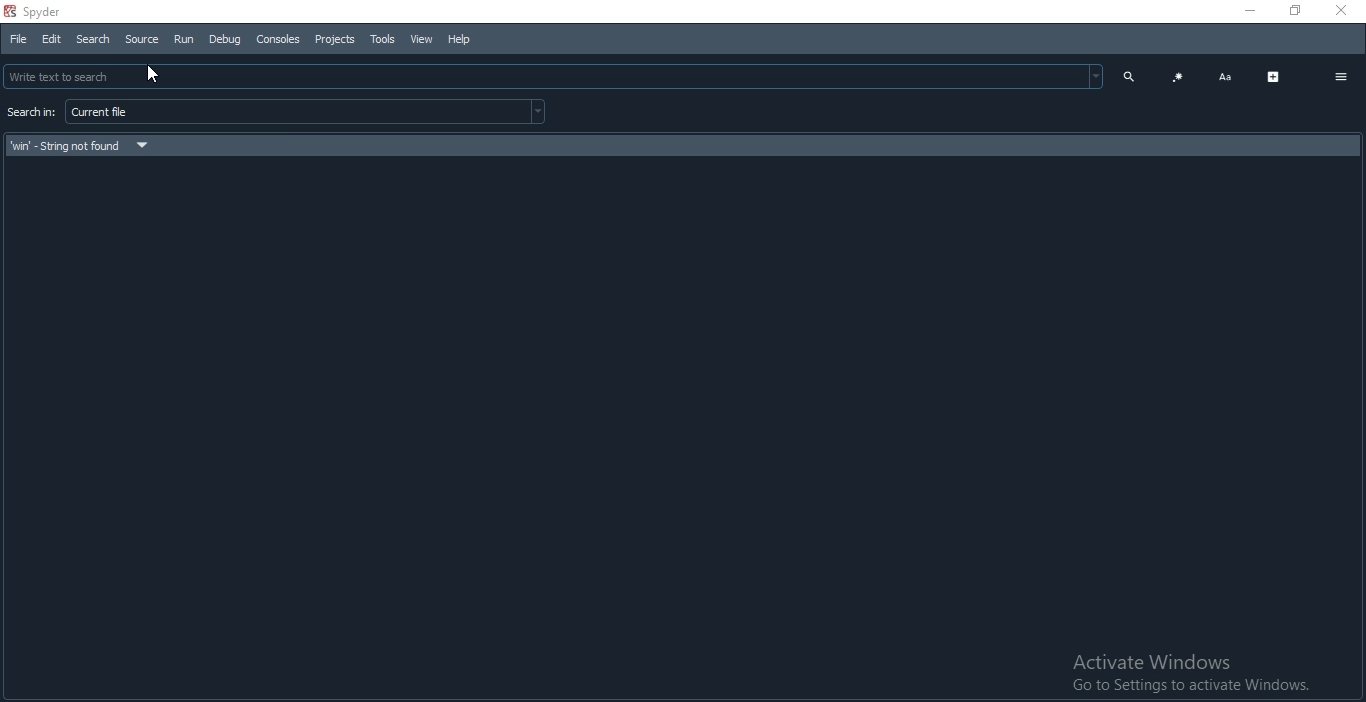 This screenshot has width=1366, height=702. Describe the element at coordinates (1341, 9) in the screenshot. I see `Close` at that location.